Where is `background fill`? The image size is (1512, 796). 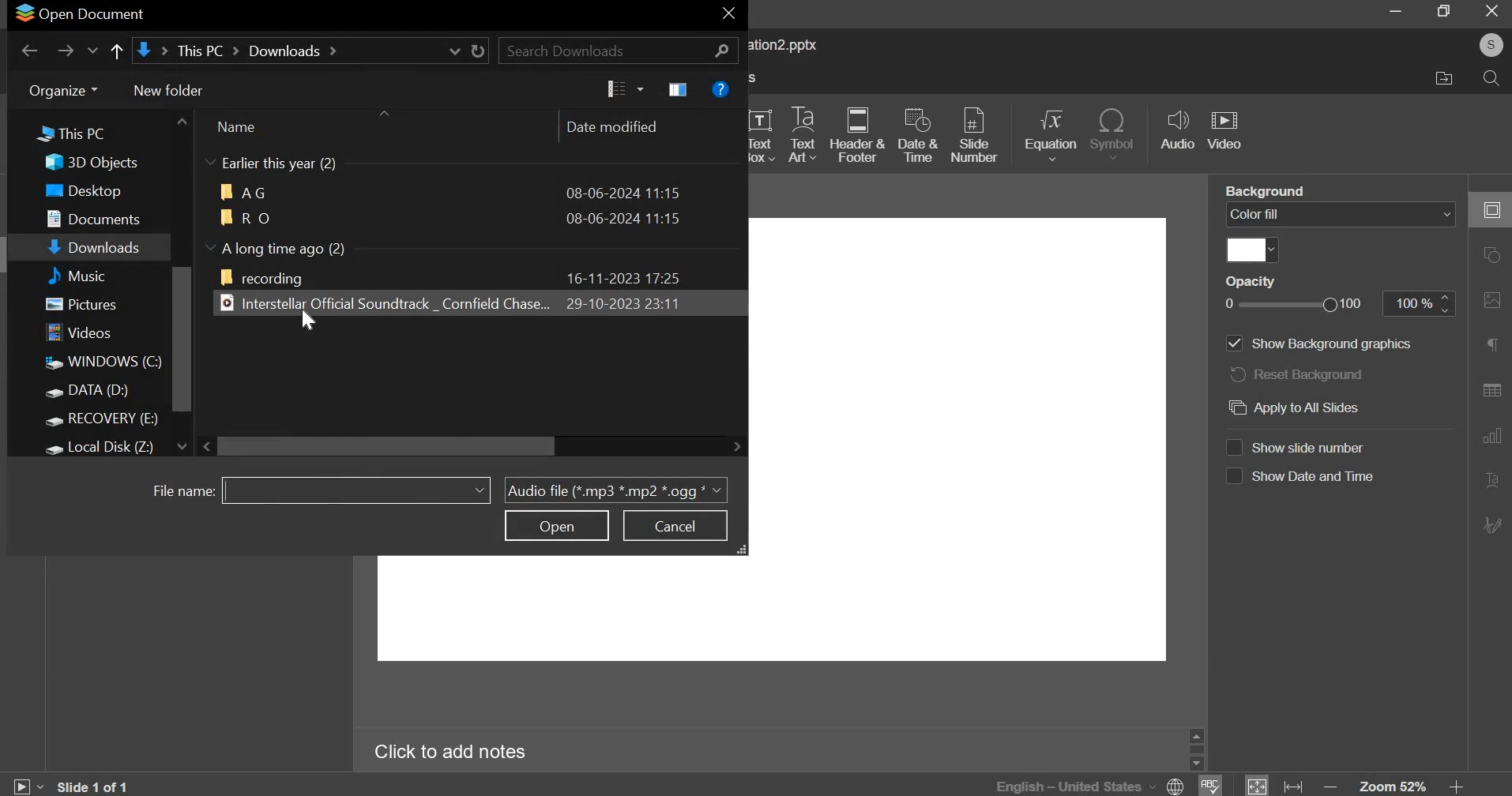 background fill is located at coordinates (1340, 216).